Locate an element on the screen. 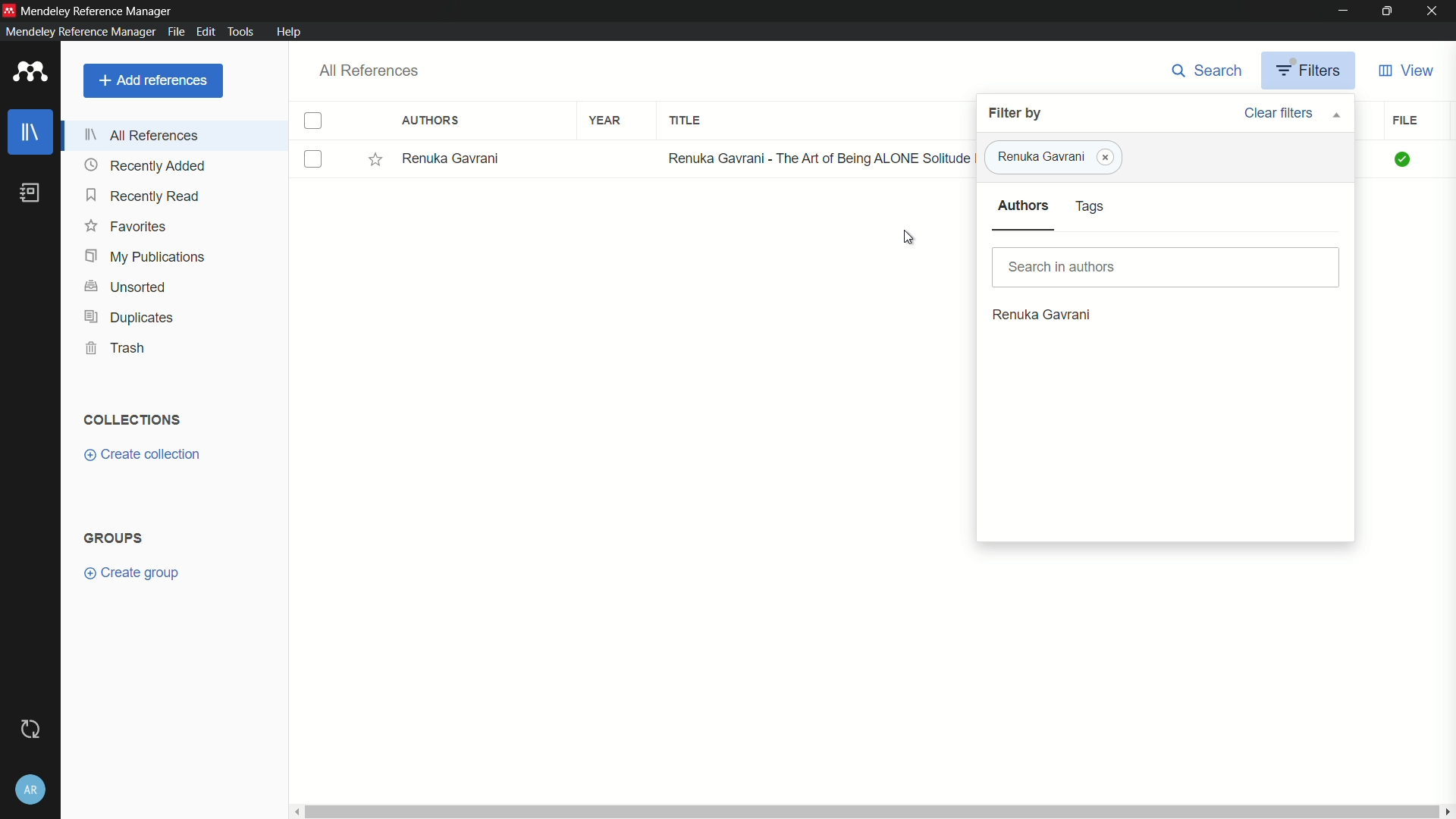 The image size is (1456, 819). library is located at coordinates (29, 132).